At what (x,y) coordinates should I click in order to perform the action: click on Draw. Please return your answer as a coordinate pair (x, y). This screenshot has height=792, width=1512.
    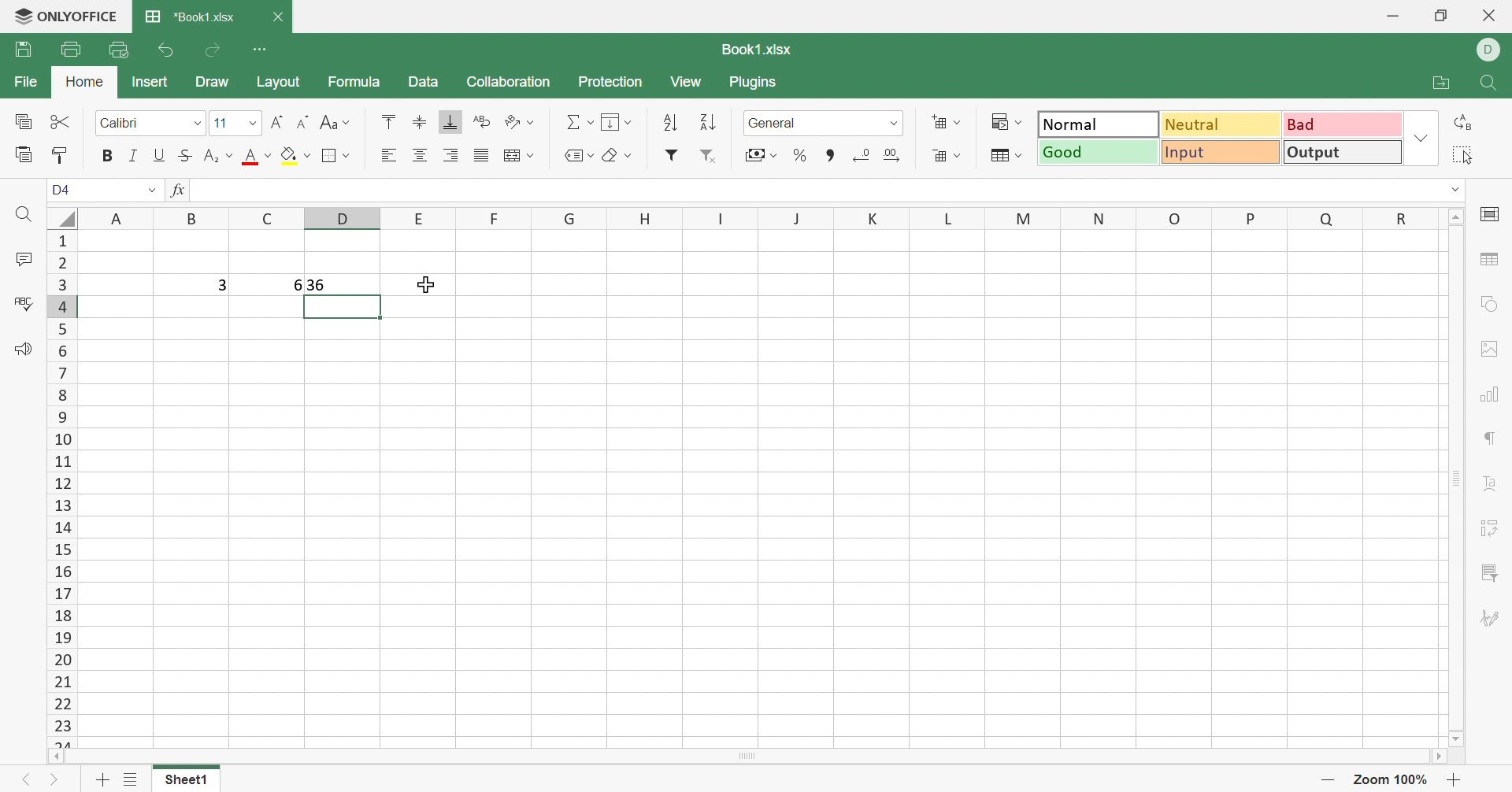
    Looking at the image, I should click on (212, 80).